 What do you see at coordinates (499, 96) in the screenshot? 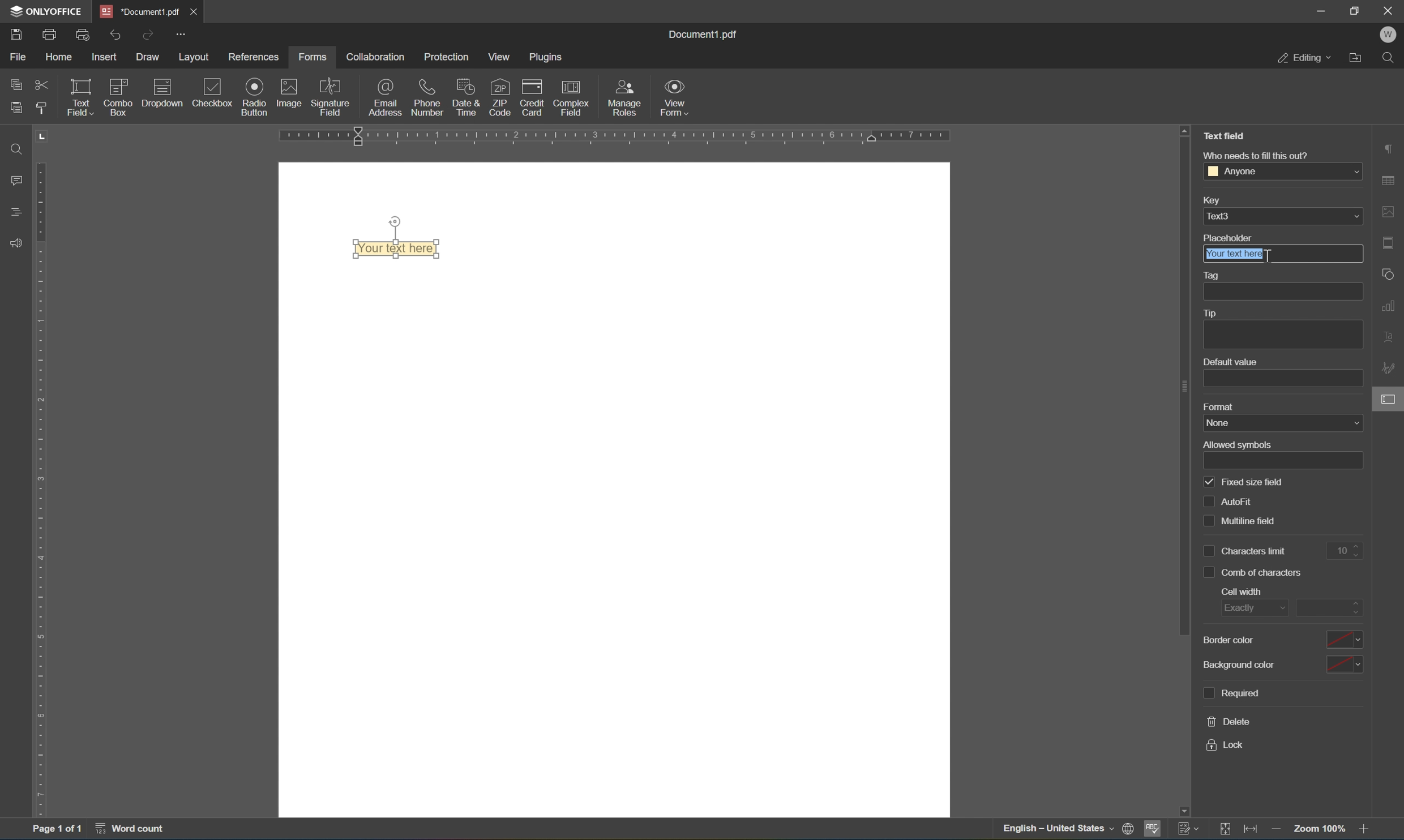
I see `ZIP code` at bounding box center [499, 96].